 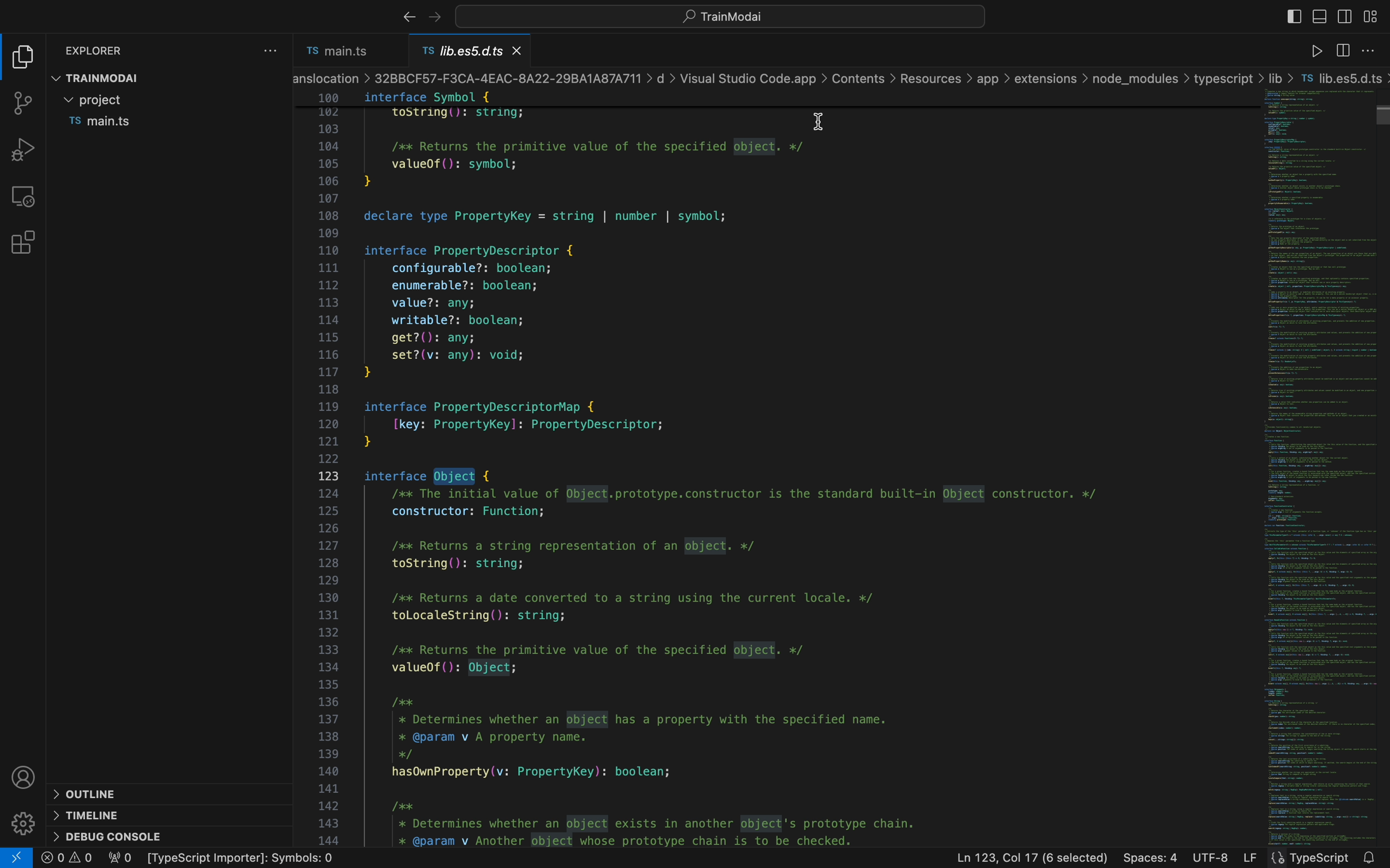 I want to click on error logs, so click(x=187, y=855).